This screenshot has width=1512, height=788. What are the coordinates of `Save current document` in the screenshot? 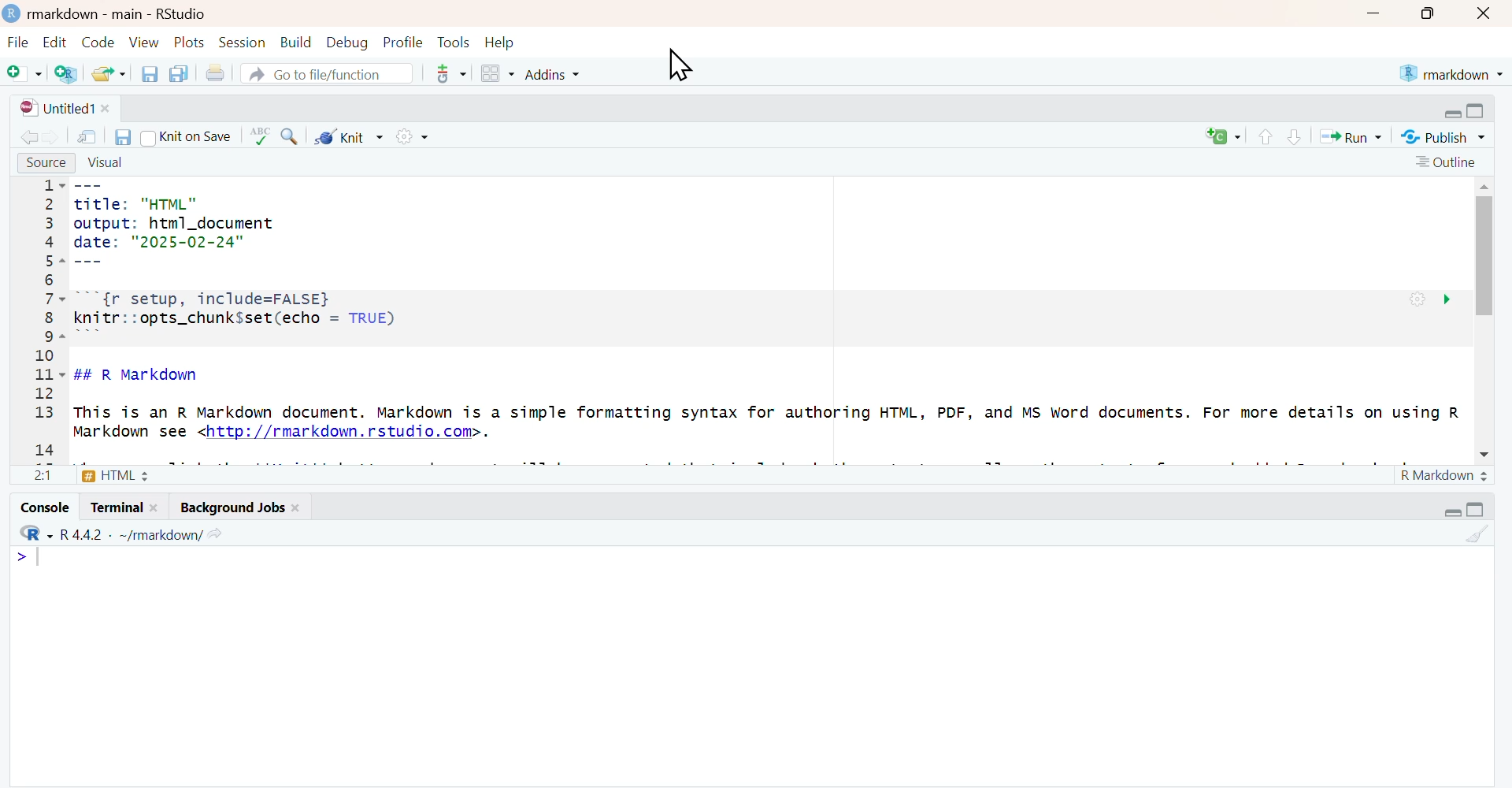 It's located at (149, 73).